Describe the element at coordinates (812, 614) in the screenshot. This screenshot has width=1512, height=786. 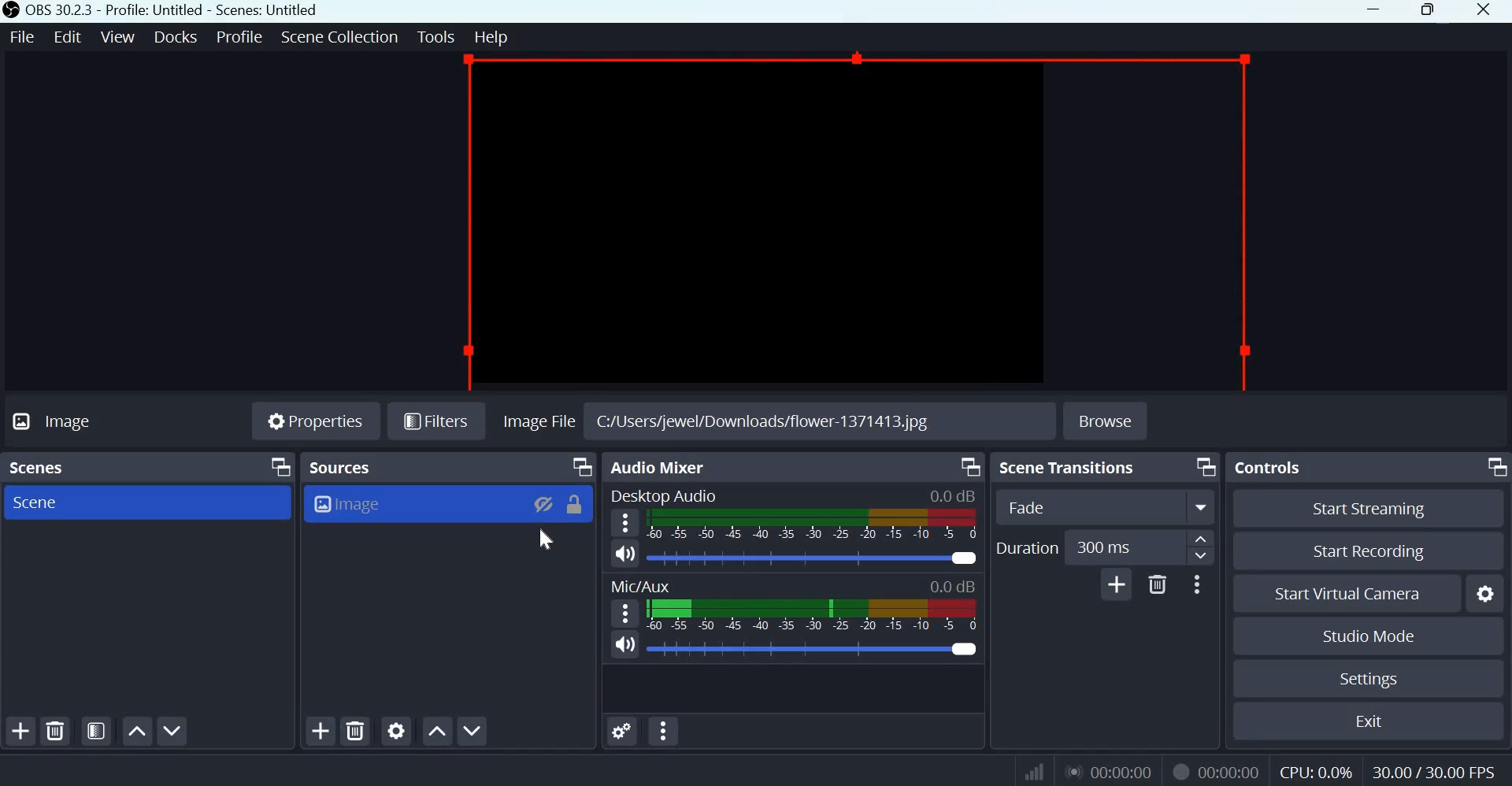
I see `Volume Meter` at that location.